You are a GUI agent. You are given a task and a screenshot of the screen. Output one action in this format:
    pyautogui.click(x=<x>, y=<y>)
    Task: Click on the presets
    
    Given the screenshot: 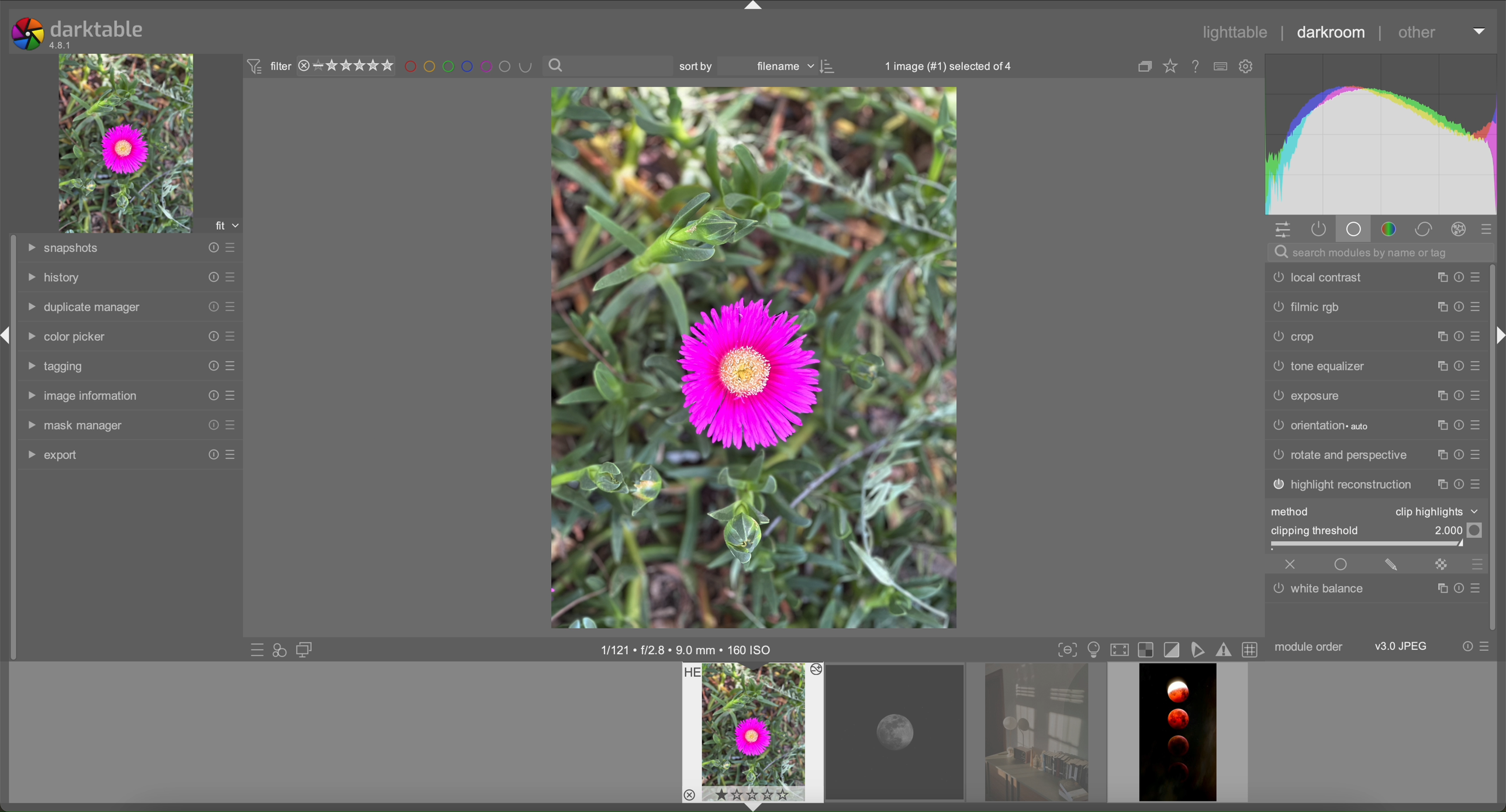 What is the action you would take?
    pyautogui.click(x=1491, y=228)
    